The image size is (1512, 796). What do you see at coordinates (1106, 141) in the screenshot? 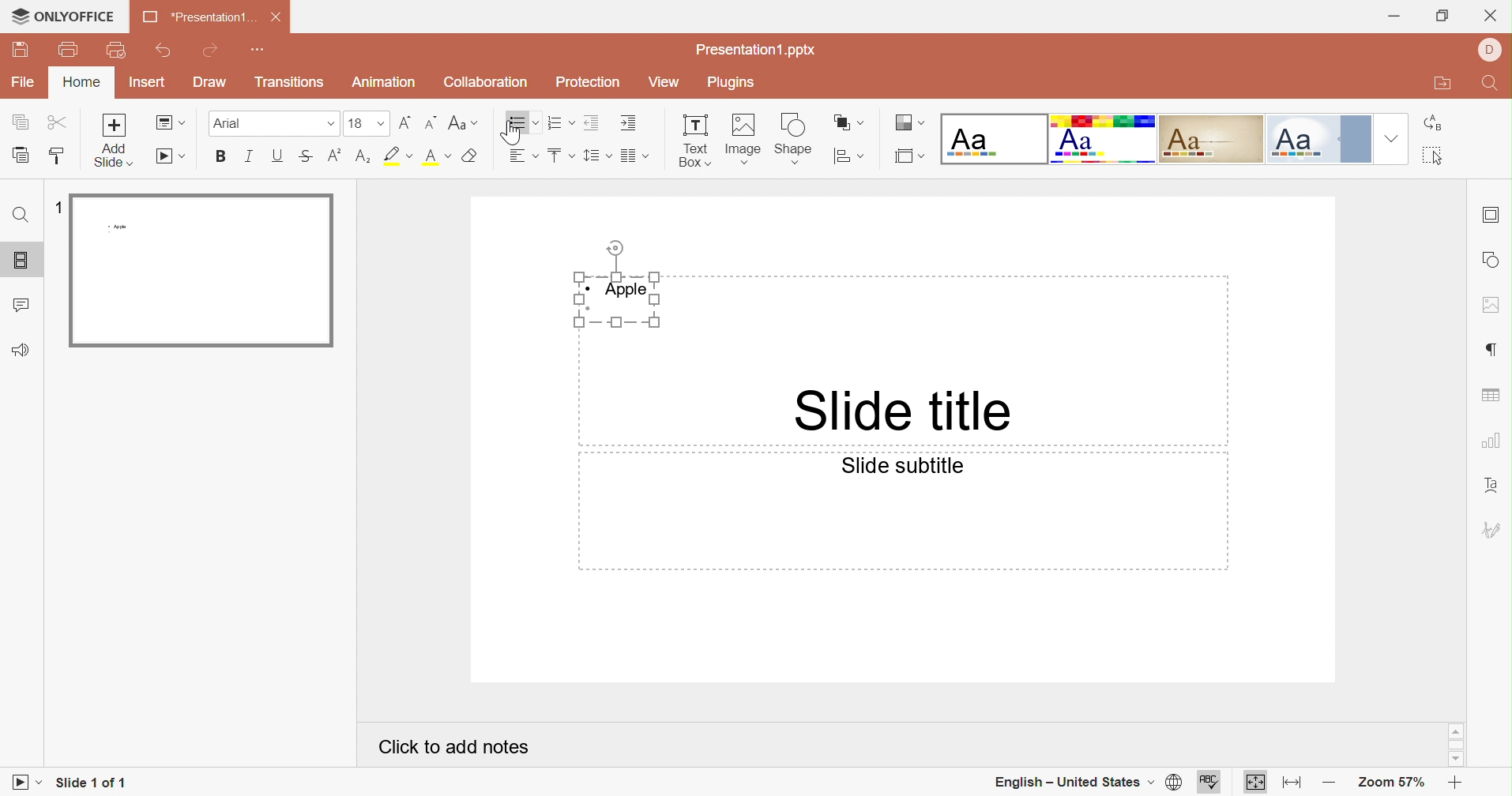
I see `Basic` at bounding box center [1106, 141].